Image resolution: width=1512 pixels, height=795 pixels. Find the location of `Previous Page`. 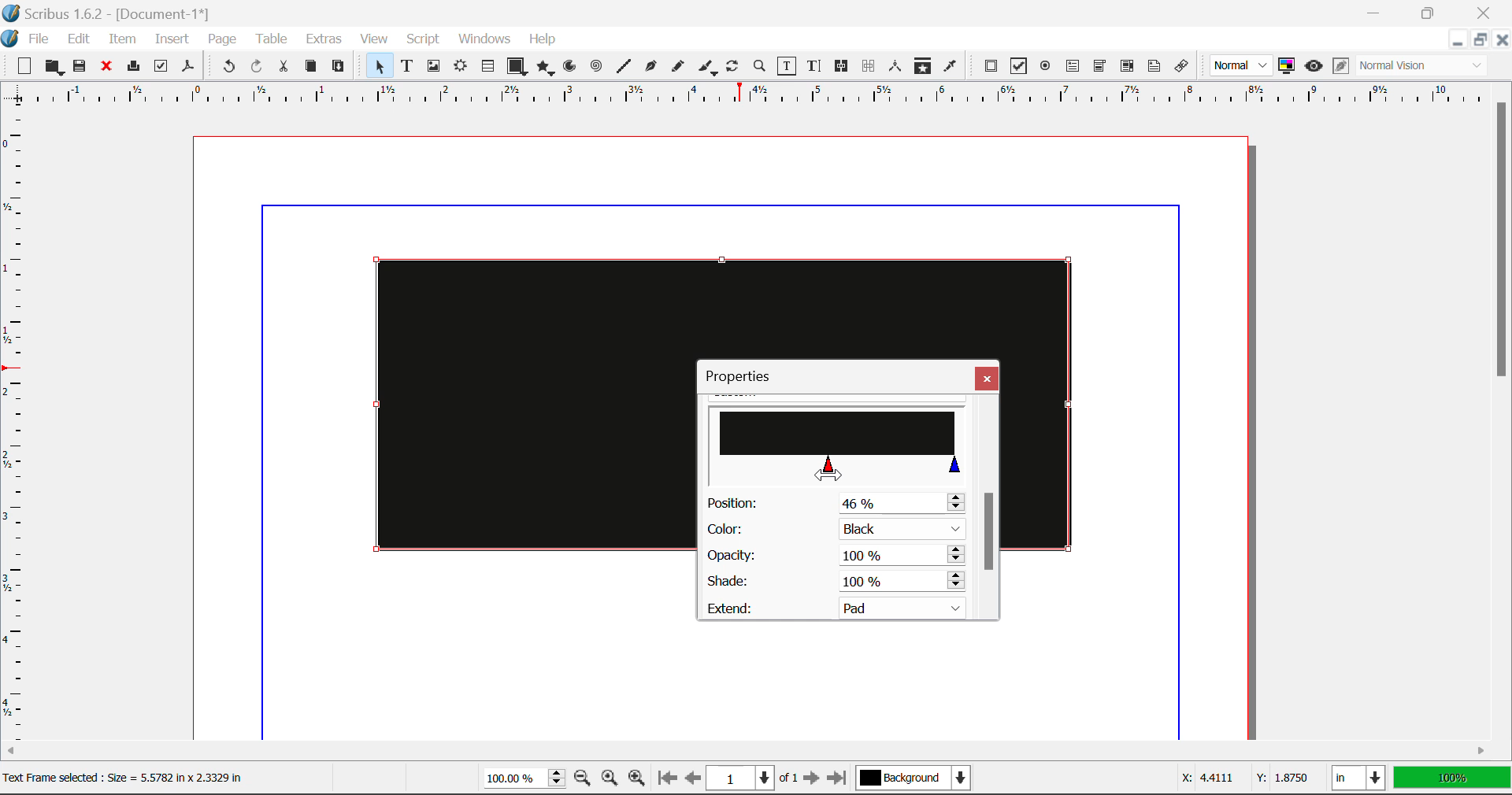

Previous Page is located at coordinates (693, 780).